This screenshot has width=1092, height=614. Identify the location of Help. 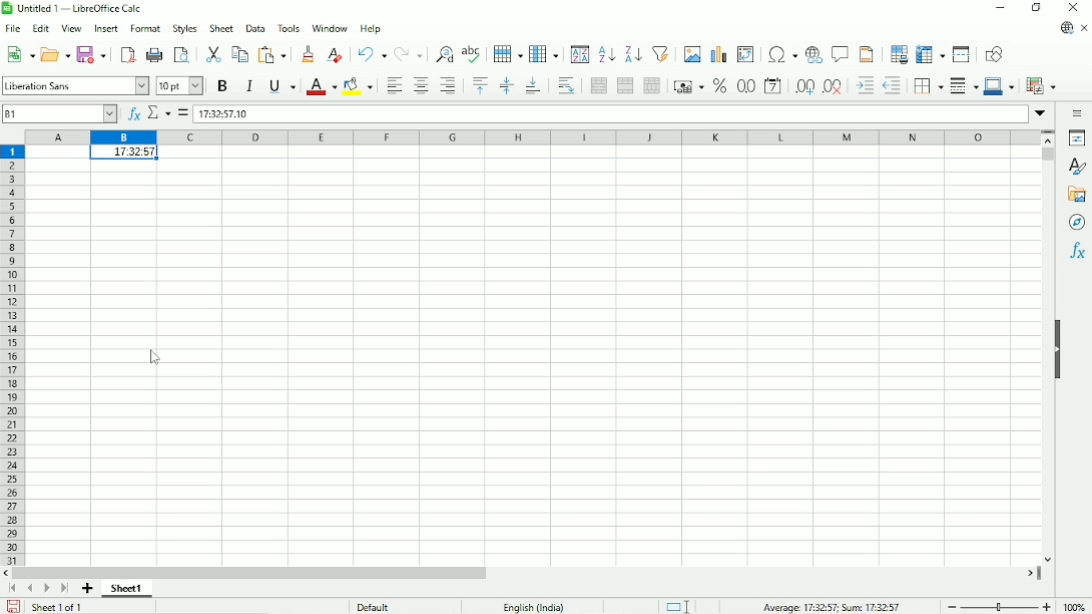
(370, 29).